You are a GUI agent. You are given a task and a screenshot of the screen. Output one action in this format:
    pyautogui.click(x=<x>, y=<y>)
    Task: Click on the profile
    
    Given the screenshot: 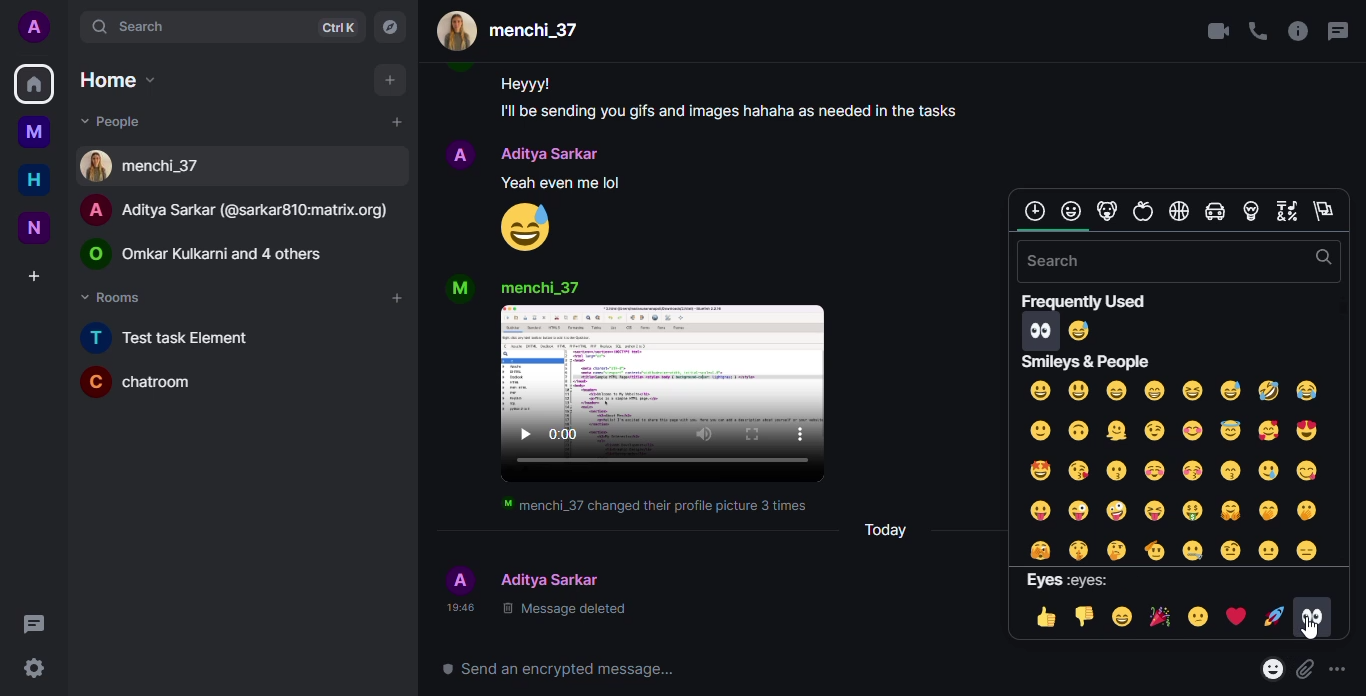 What is the action you would take?
    pyautogui.click(x=456, y=577)
    